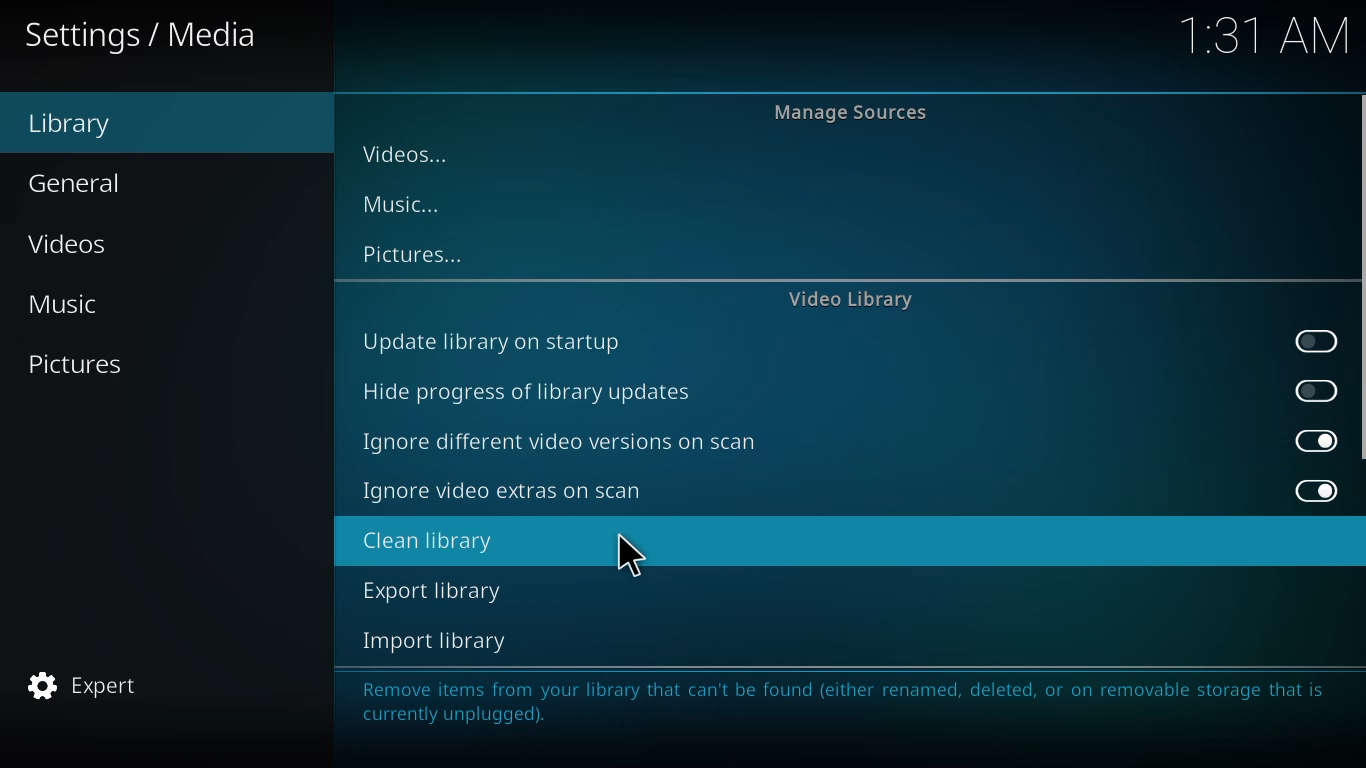  What do you see at coordinates (65, 306) in the screenshot?
I see `Music` at bounding box center [65, 306].